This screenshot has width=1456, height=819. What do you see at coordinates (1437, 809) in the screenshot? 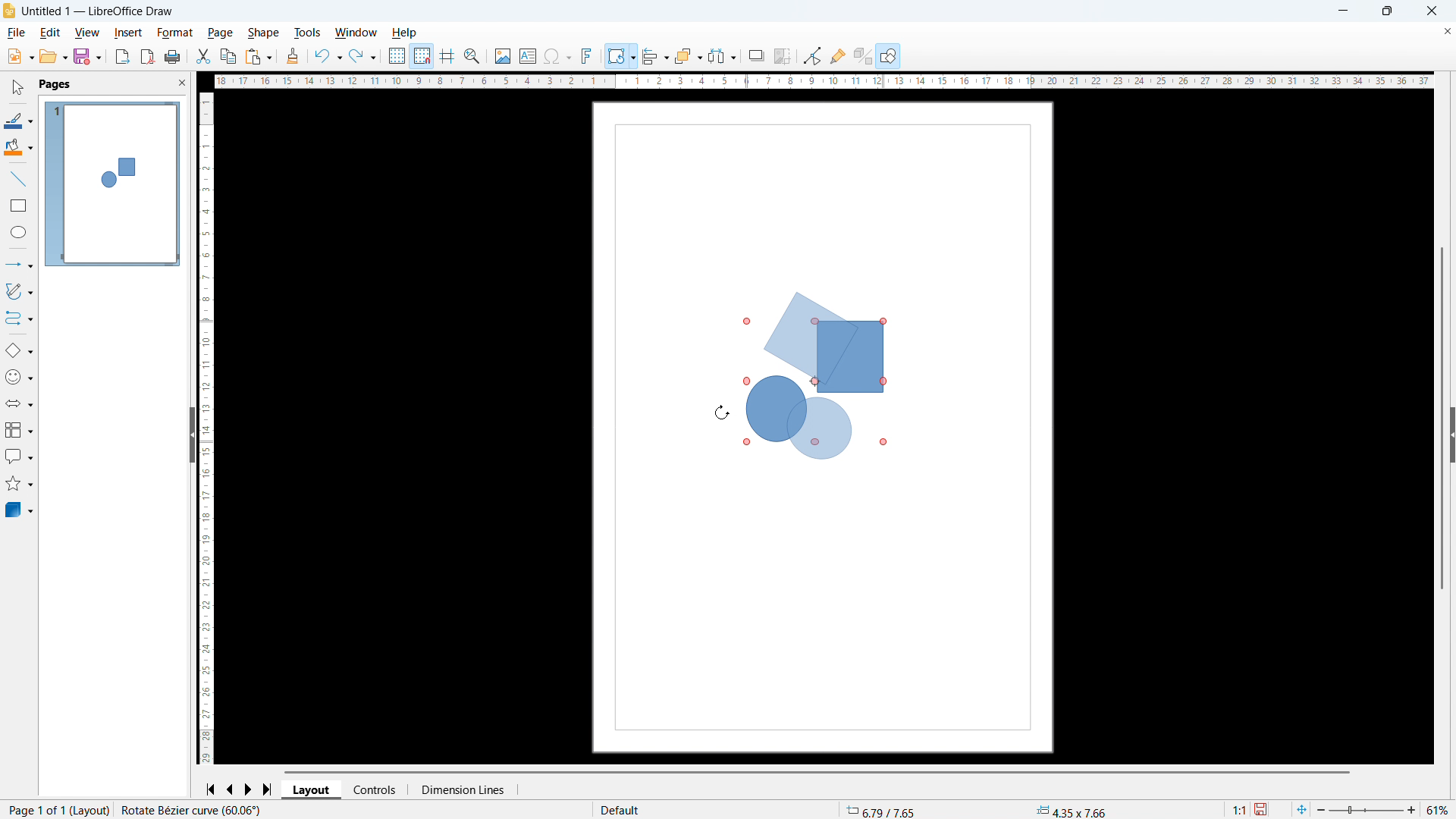
I see `Zoom level ` at bounding box center [1437, 809].